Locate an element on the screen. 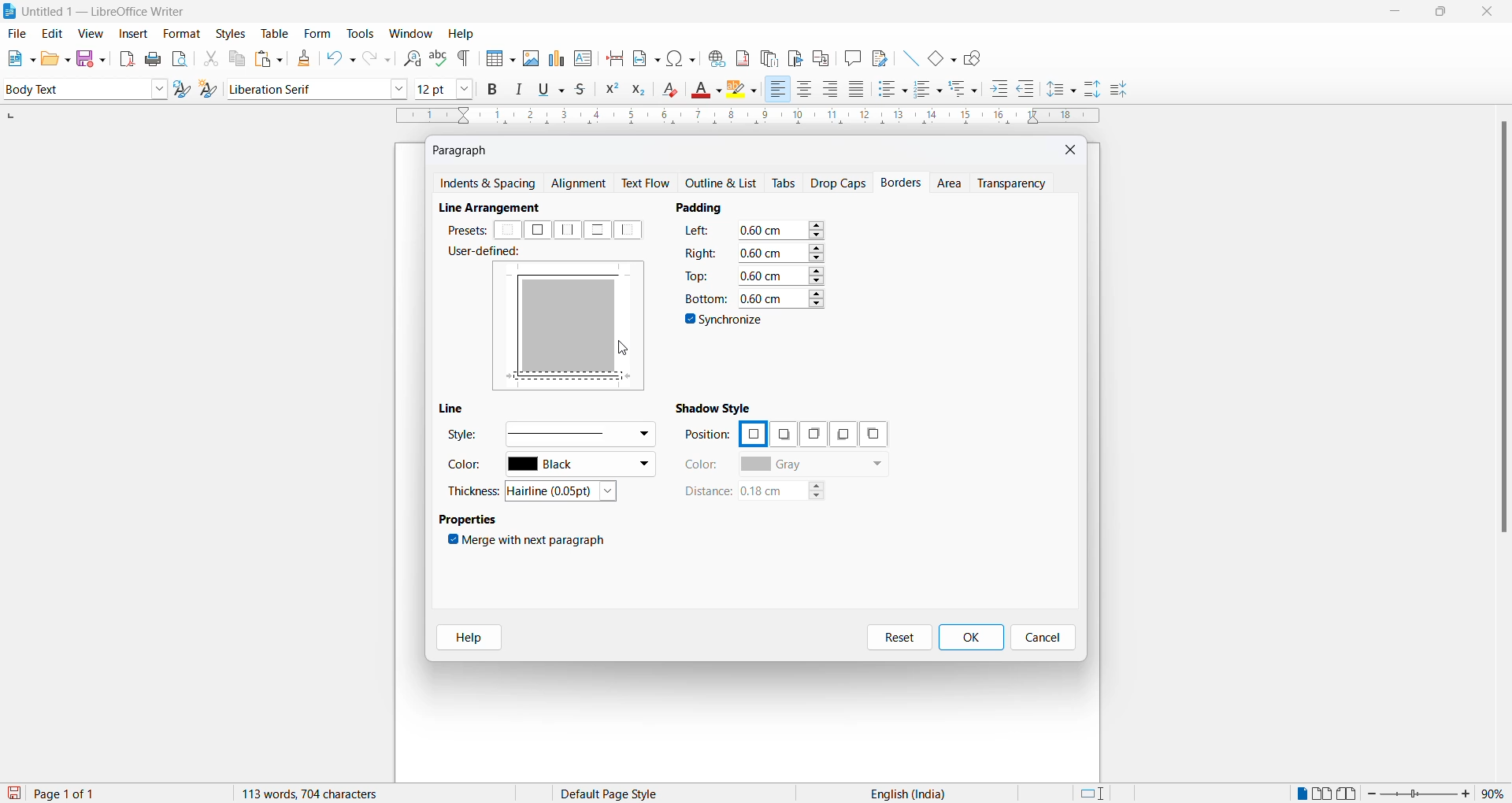 Image resolution: width=1512 pixels, height=803 pixels. show draw functions is located at coordinates (976, 57).